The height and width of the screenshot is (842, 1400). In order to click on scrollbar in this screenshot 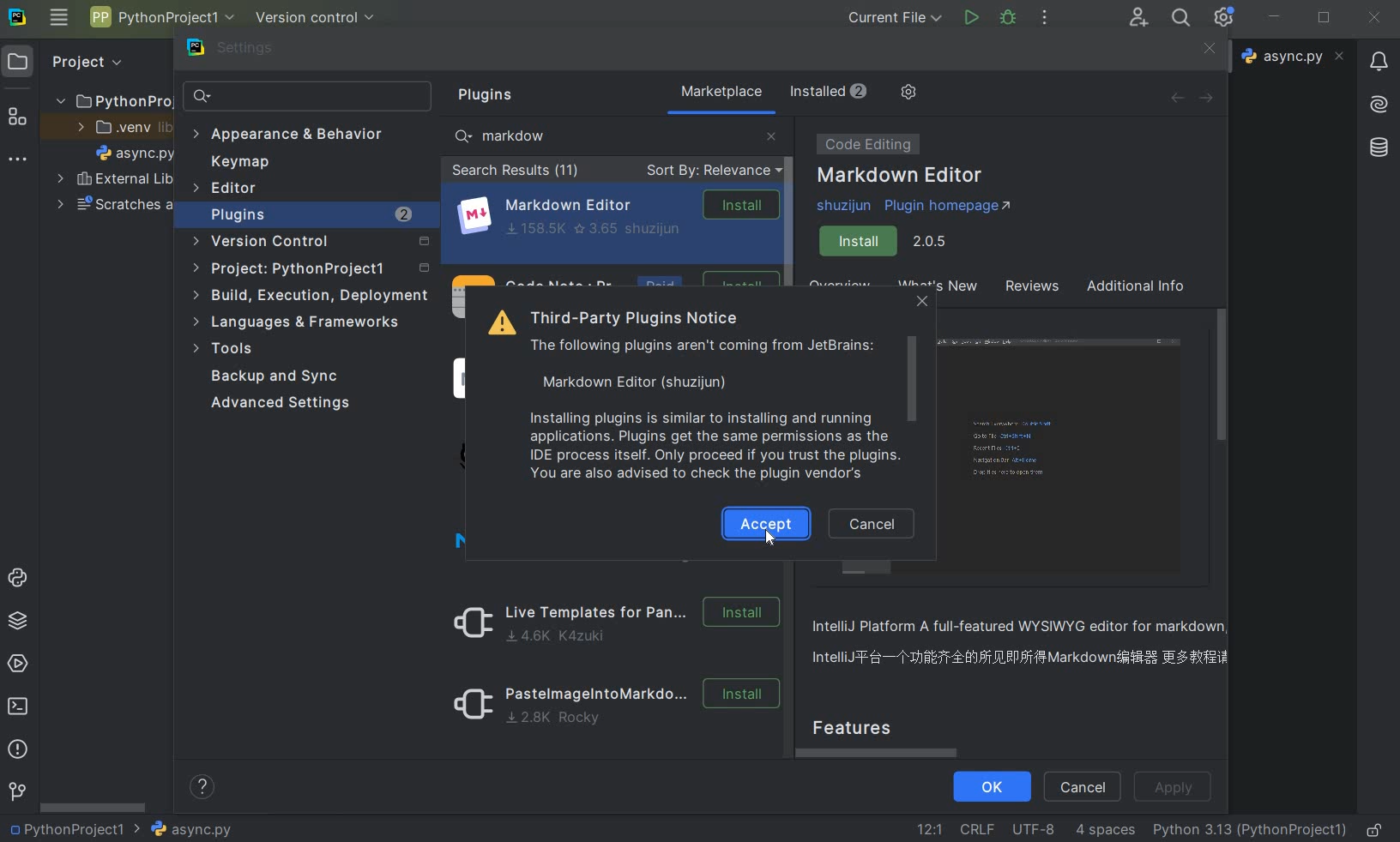, I will do `click(94, 806)`.